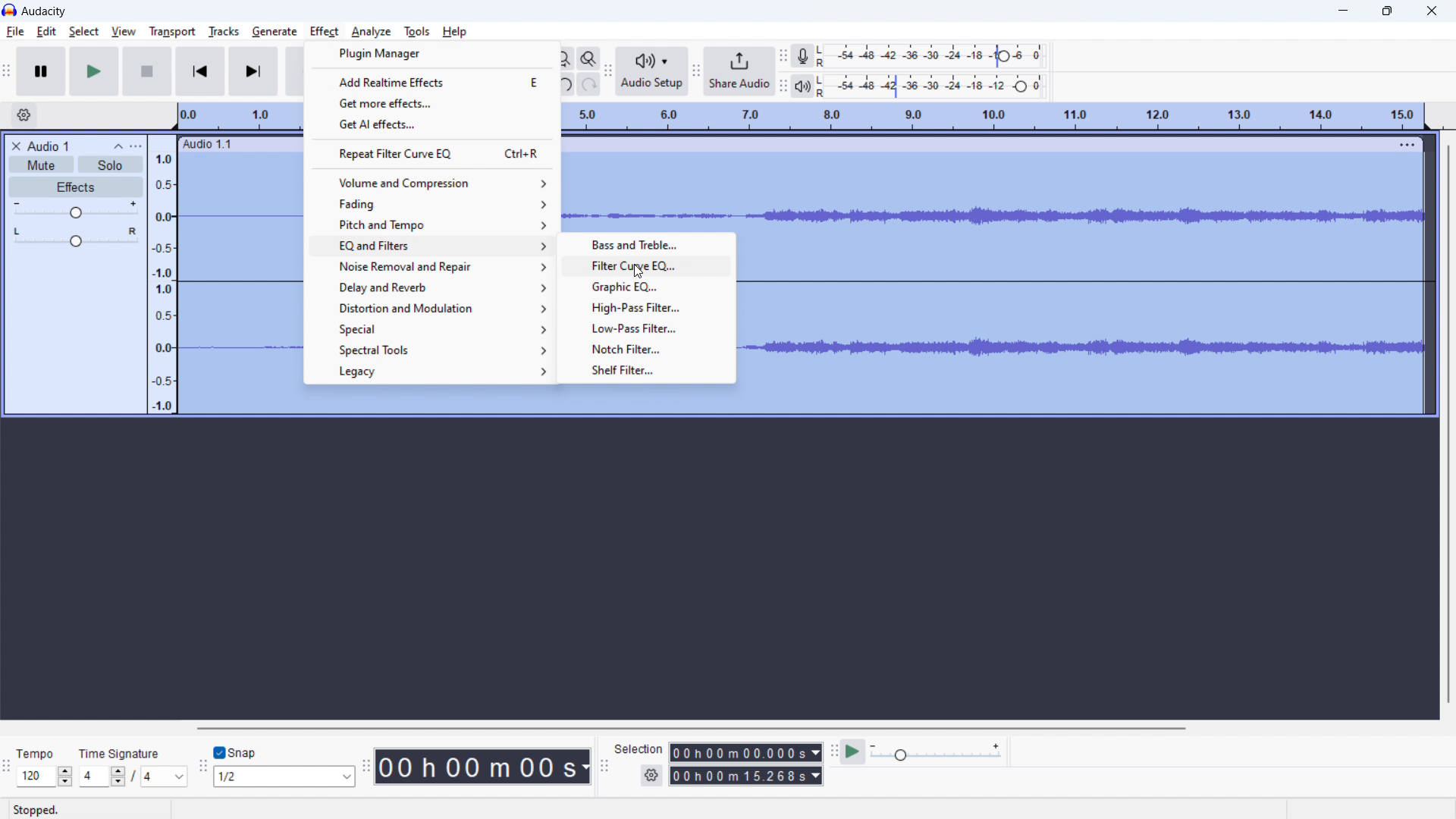 This screenshot has height=819, width=1456. What do you see at coordinates (456, 32) in the screenshot?
I see `help` at bounding box center [456, 32].